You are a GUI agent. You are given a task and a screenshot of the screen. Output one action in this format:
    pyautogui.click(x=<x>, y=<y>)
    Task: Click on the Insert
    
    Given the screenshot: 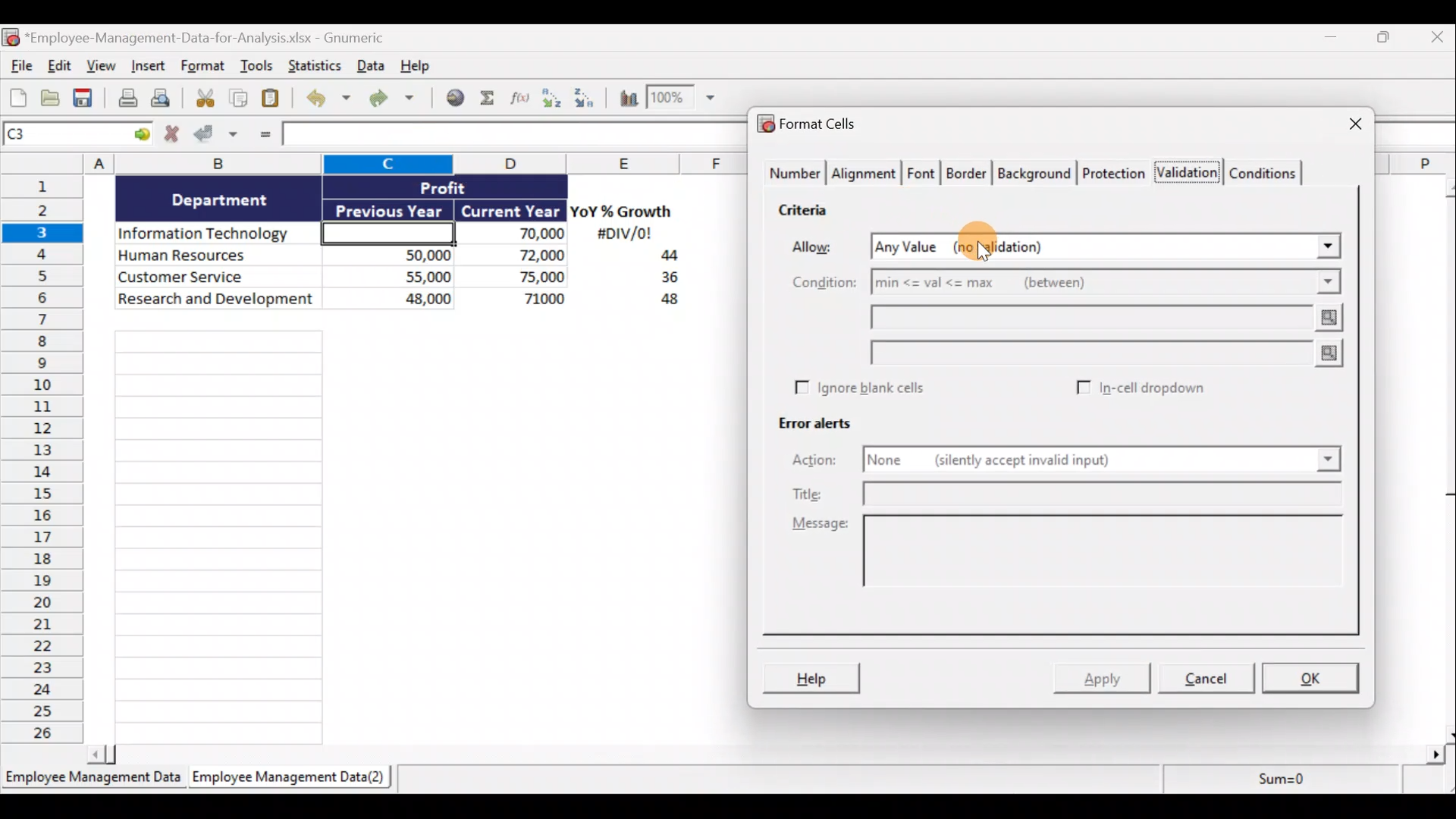 What is the action you would take?
    pyautogui.click(x=151, y=69)
    